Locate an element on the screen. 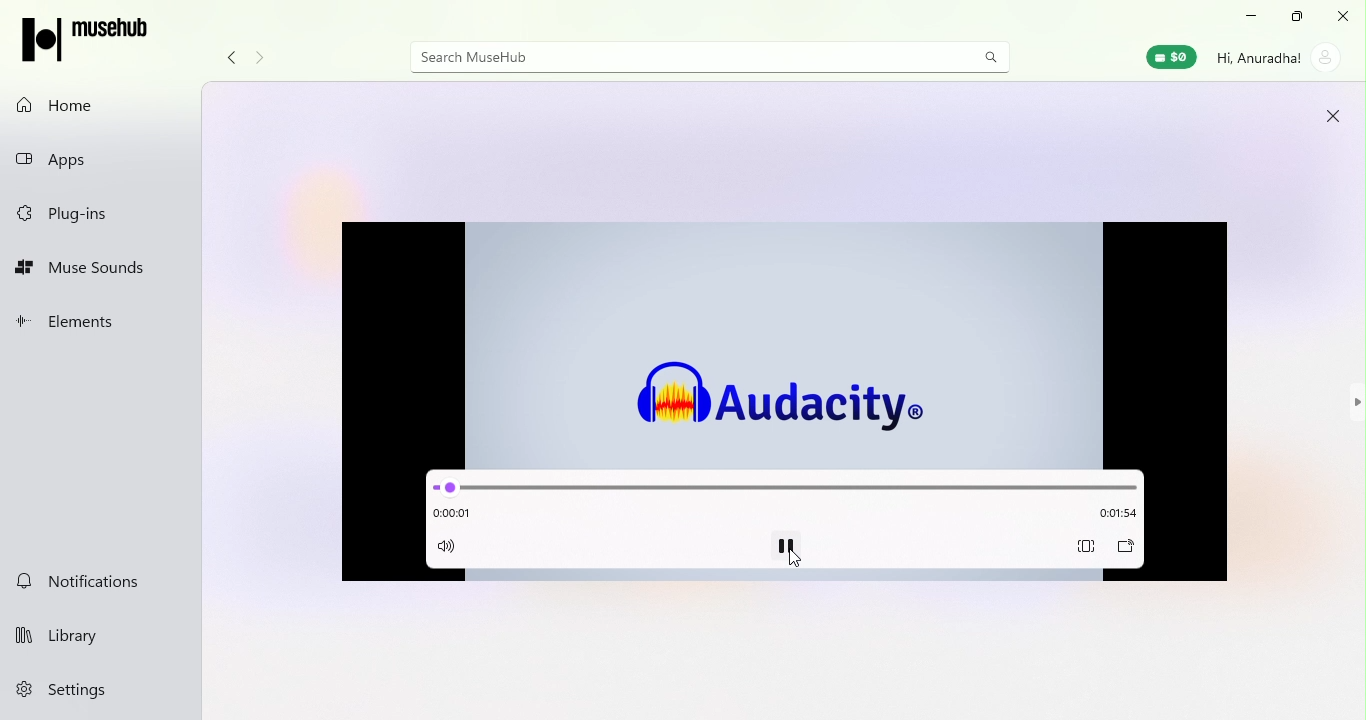  slide bar is located at coordinates (783, 484).